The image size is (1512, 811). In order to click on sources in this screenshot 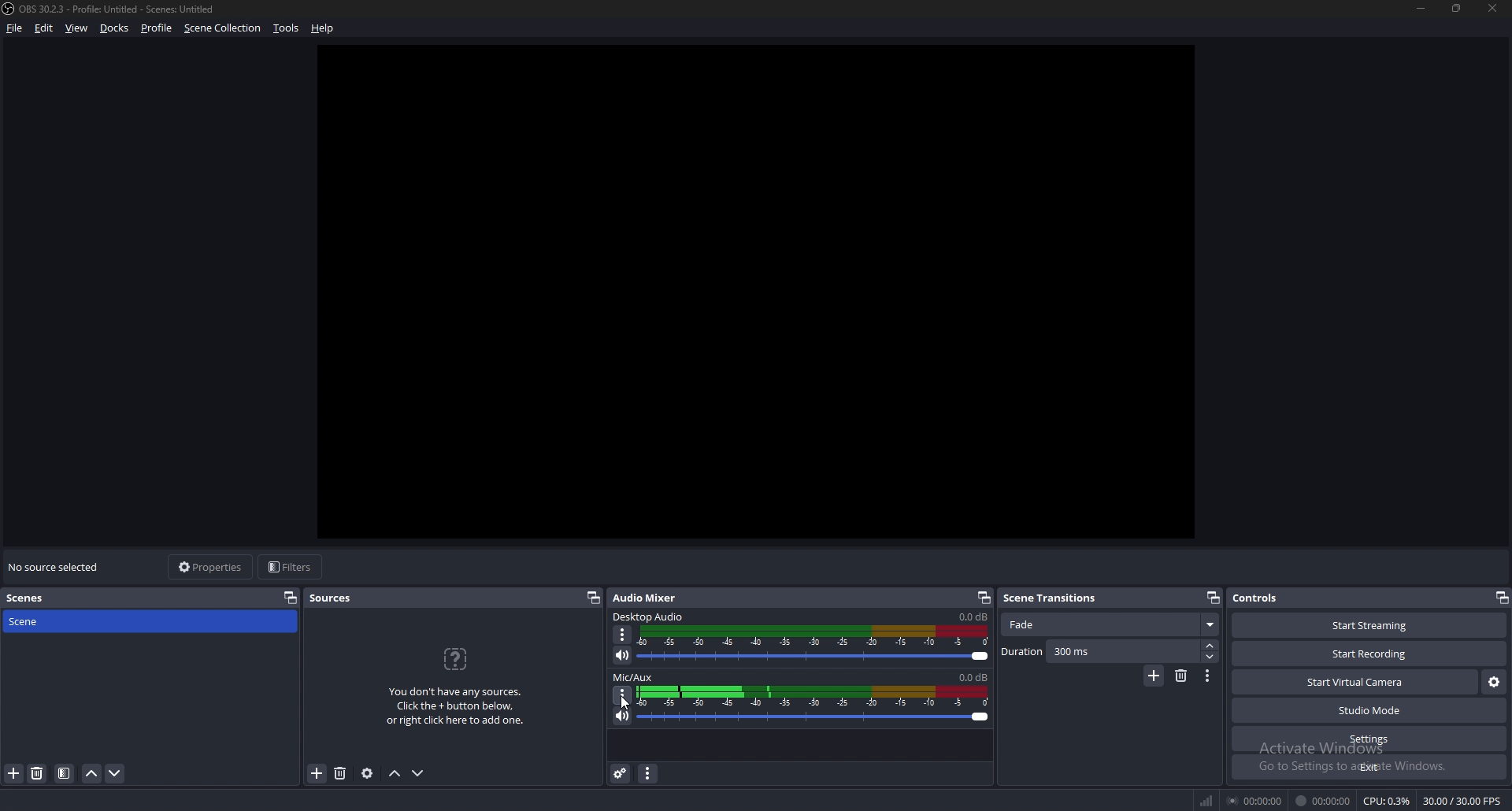, I will do `click(341, 597)`.